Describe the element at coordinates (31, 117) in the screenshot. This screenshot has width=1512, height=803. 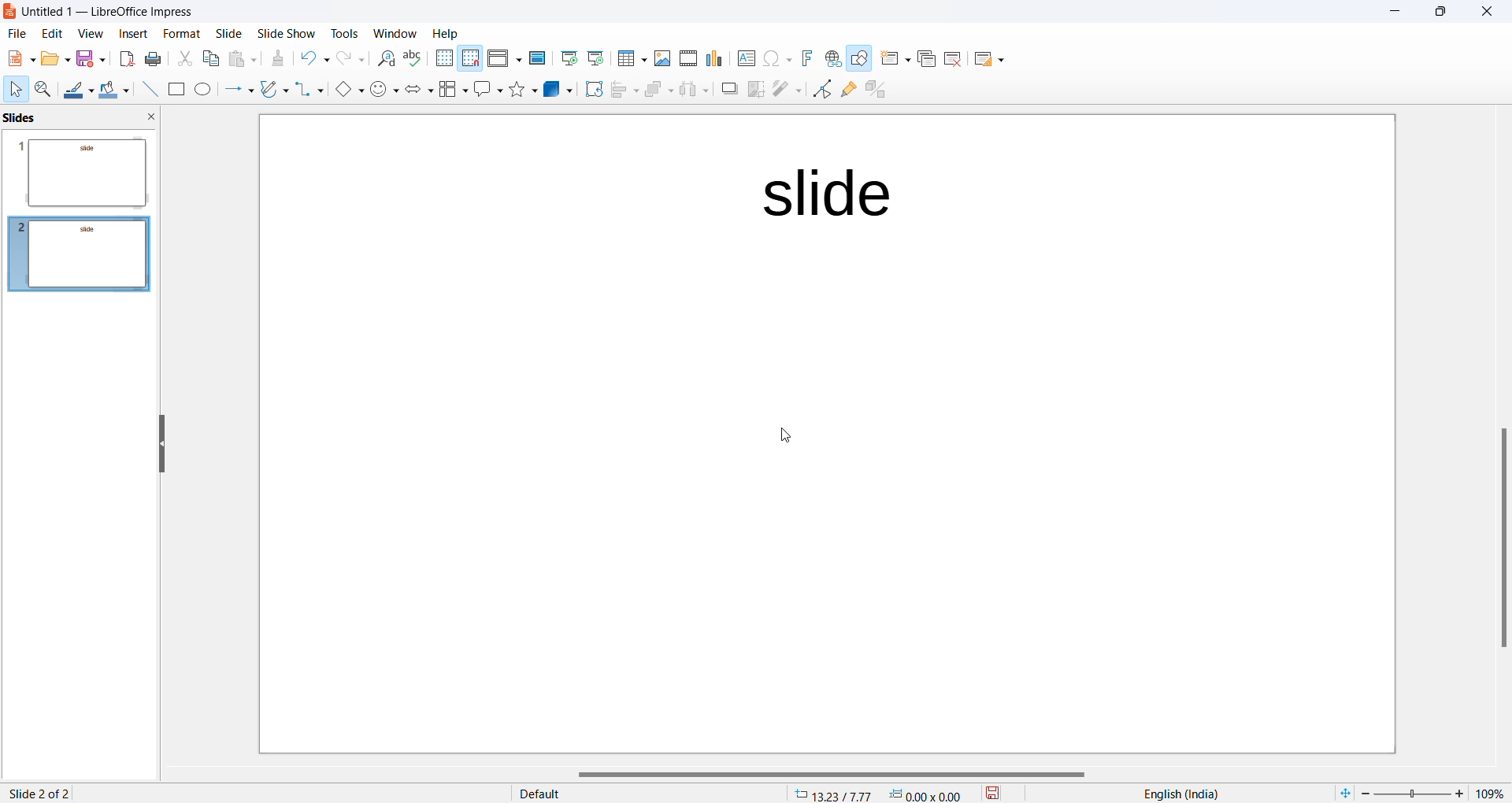
I see `slide preview pane` at that location.